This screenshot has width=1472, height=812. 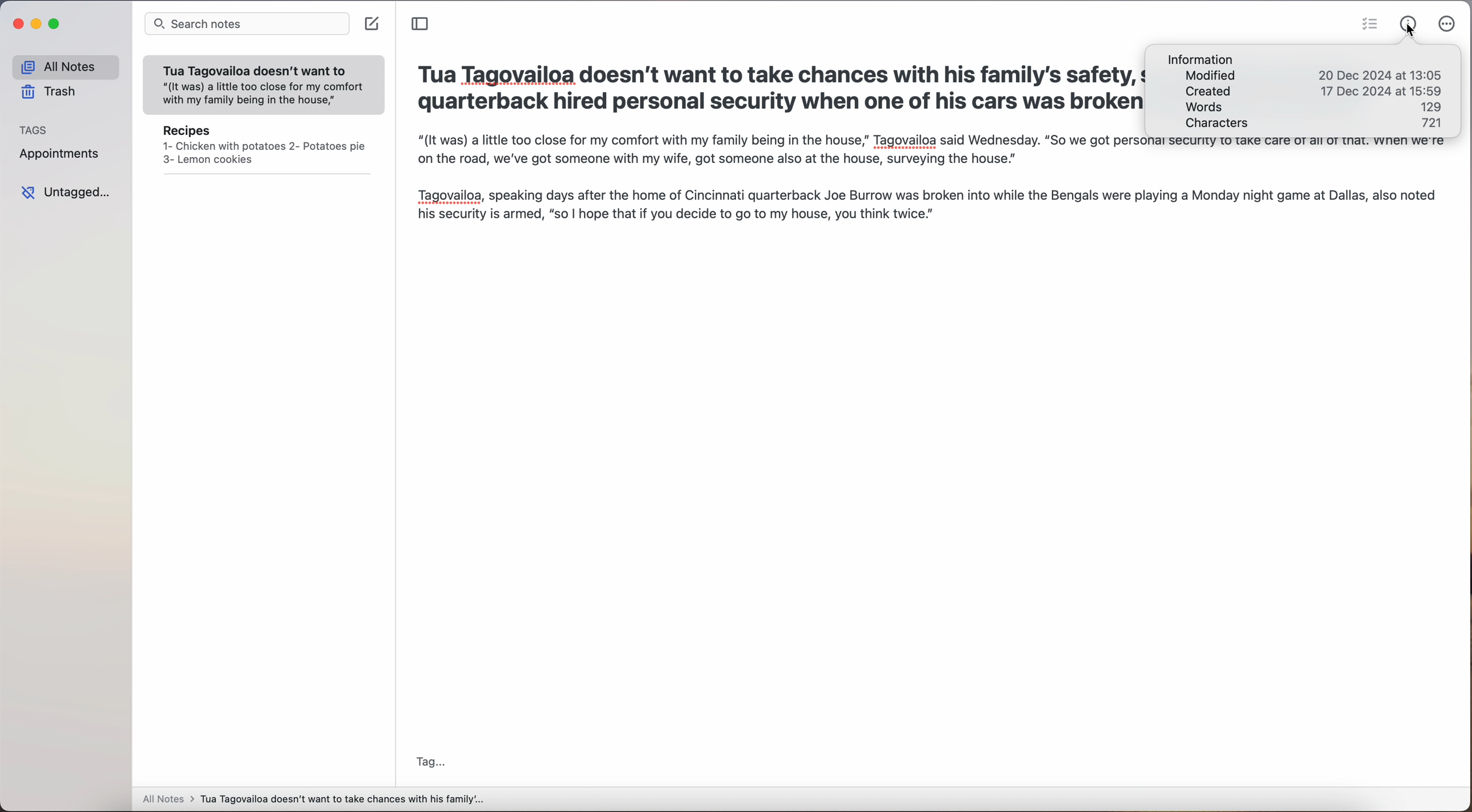 I want to click on more options, so click(x=1443, y=25).